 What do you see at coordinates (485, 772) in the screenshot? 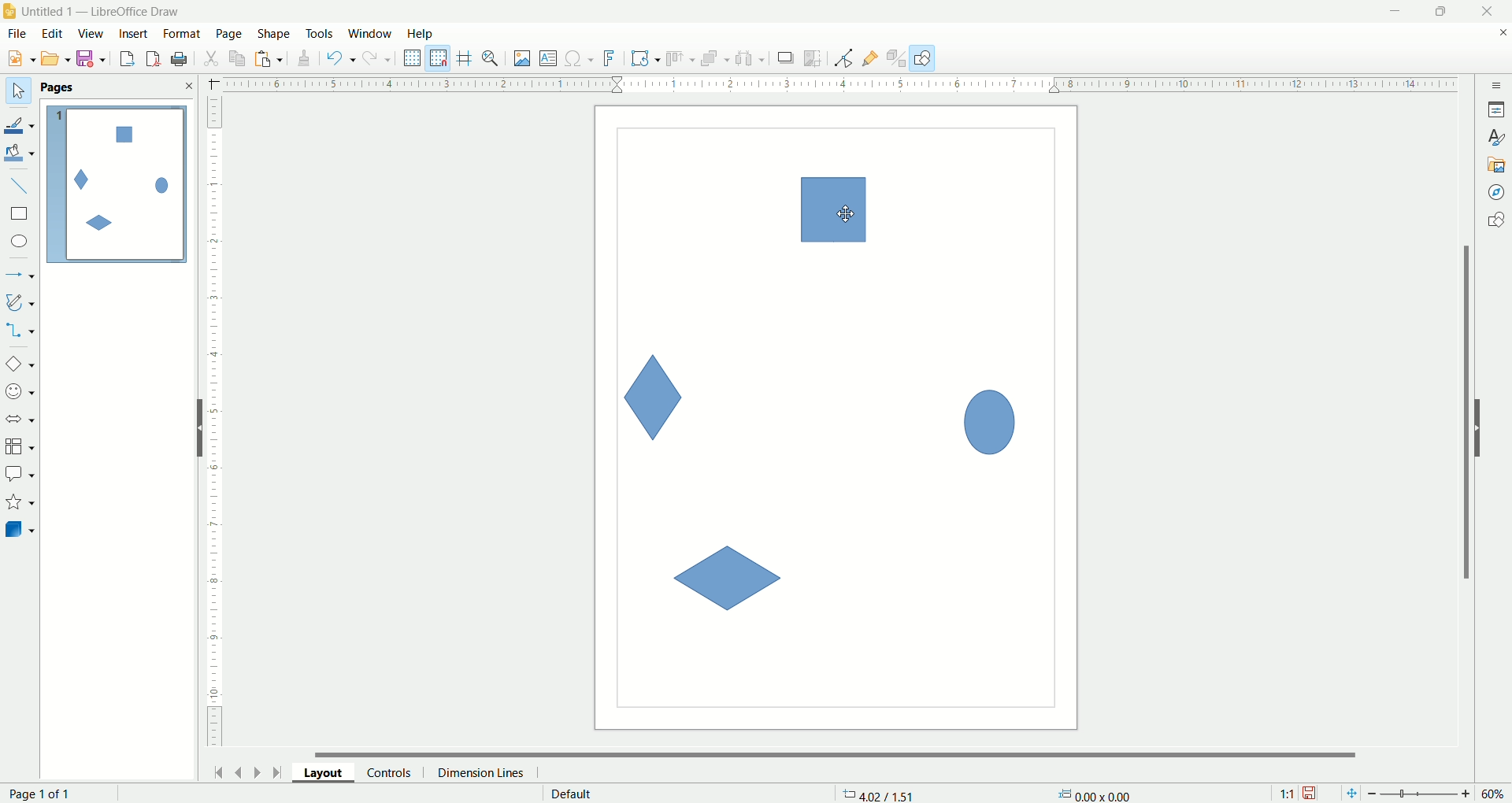
I see `dimension lines` at bounding box center [485, 772].